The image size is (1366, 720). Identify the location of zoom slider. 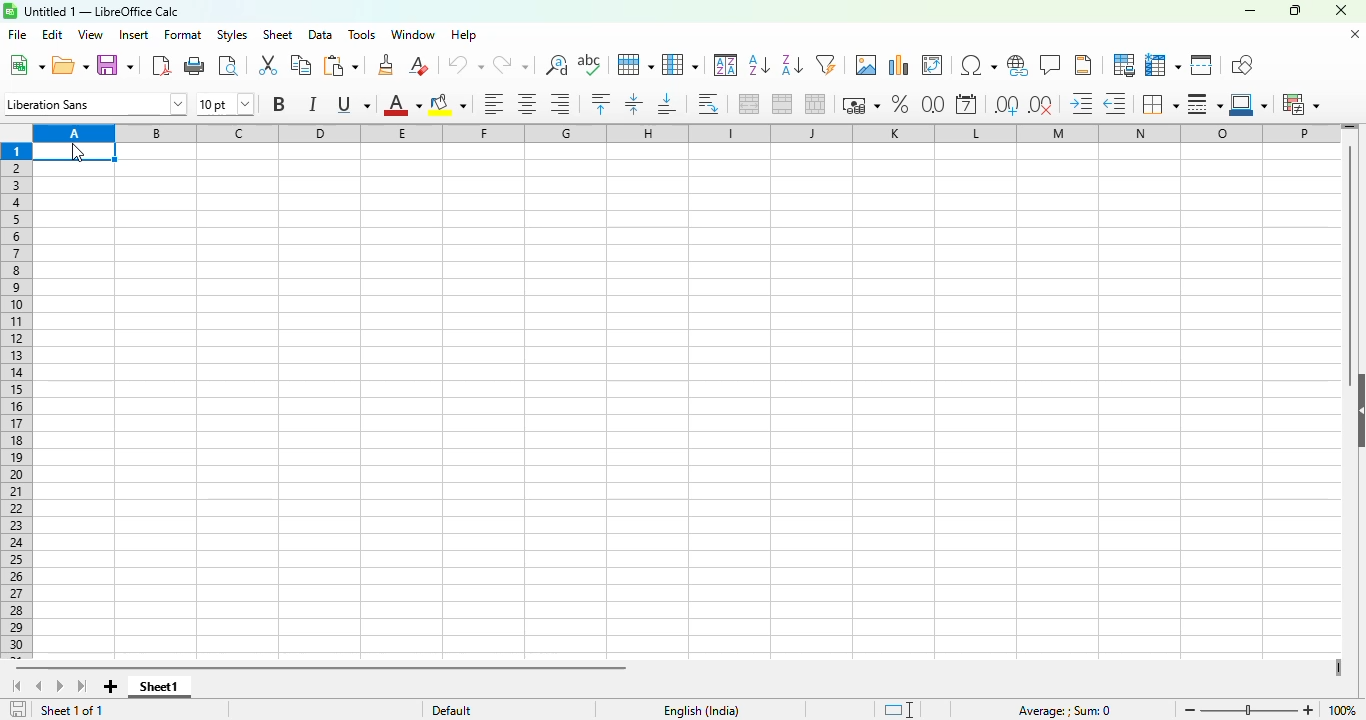
(1250, 709).